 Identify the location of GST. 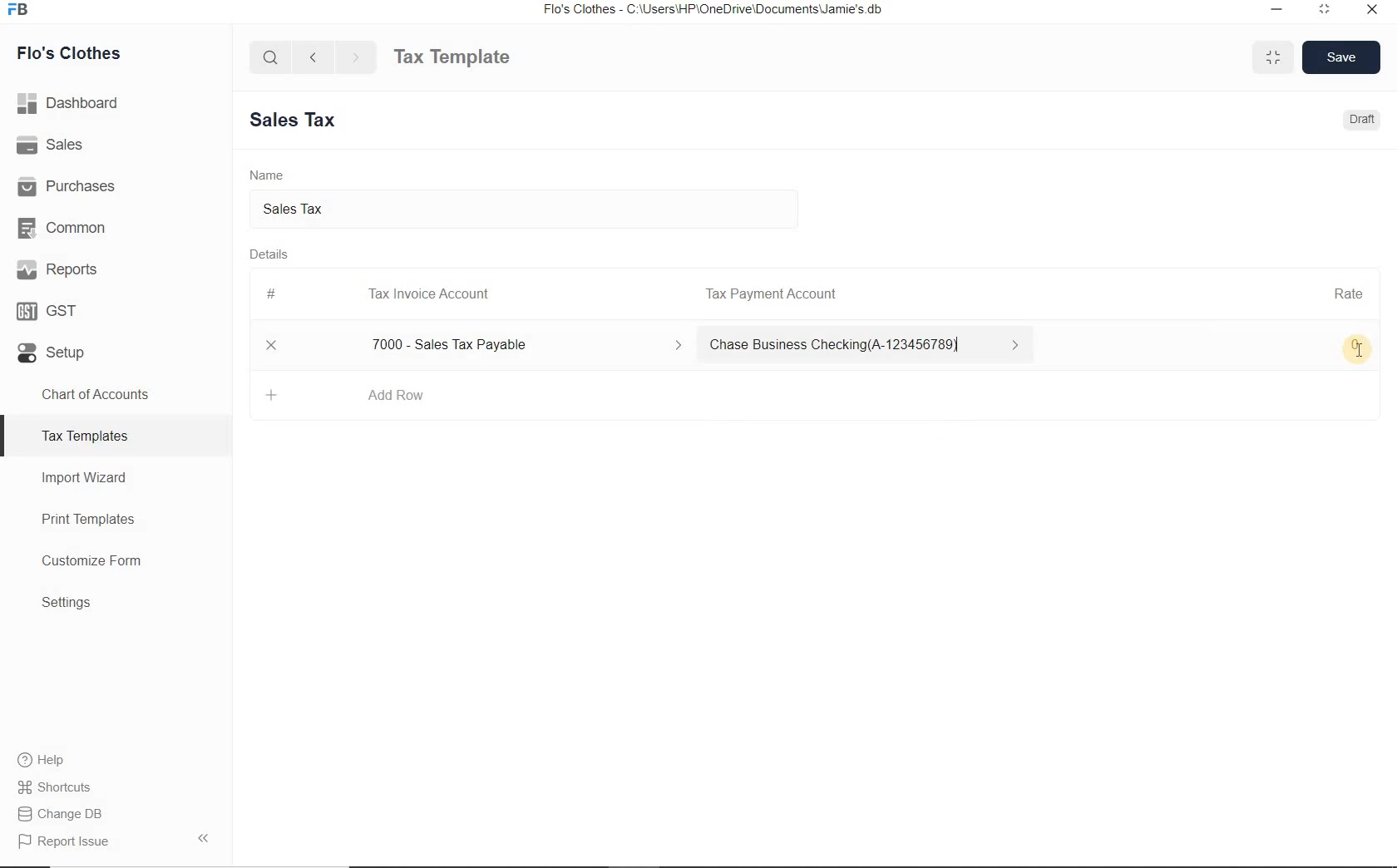
(116, 308).